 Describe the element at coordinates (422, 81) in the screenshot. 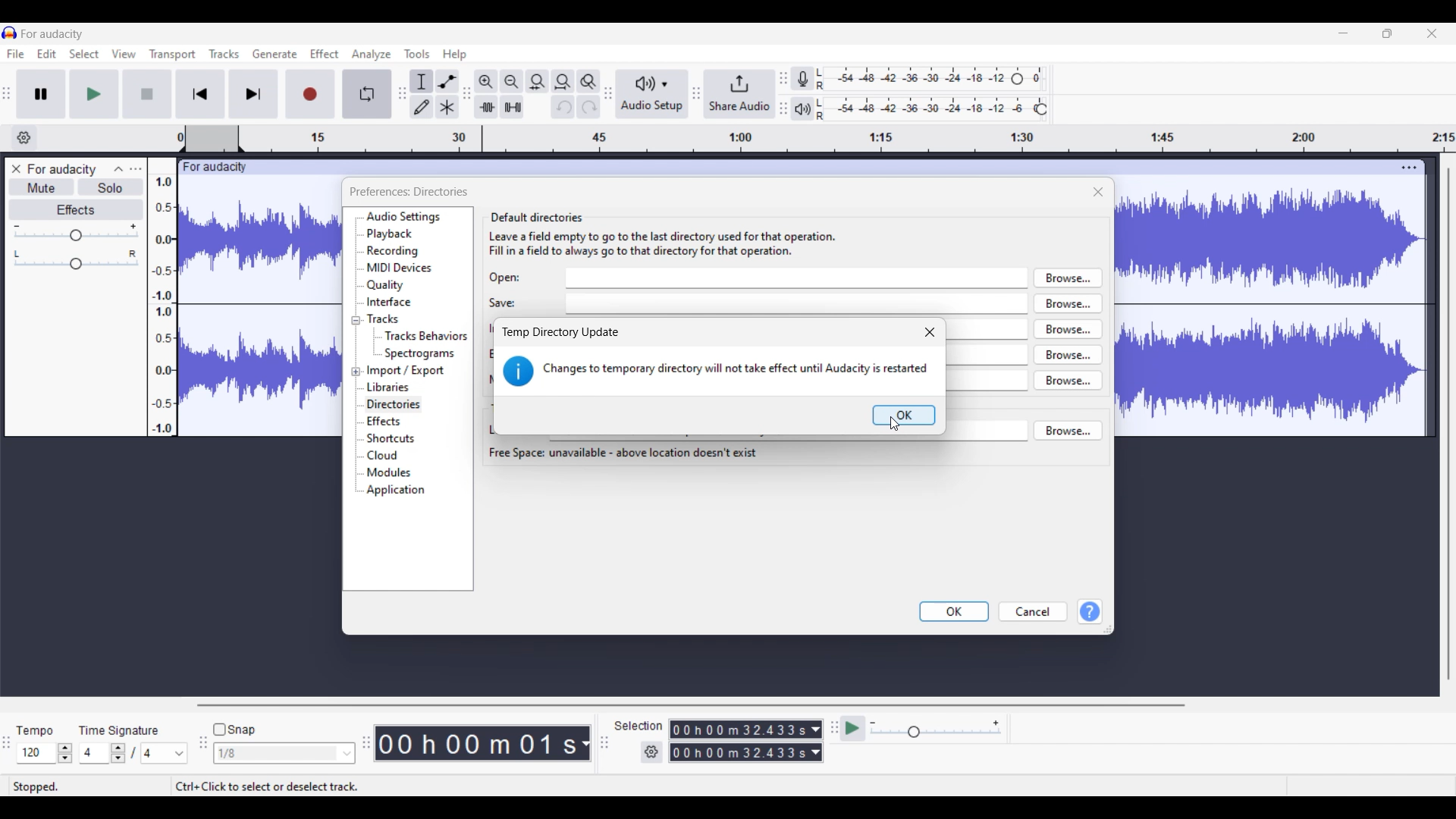

I see `Selection tool` at that location.